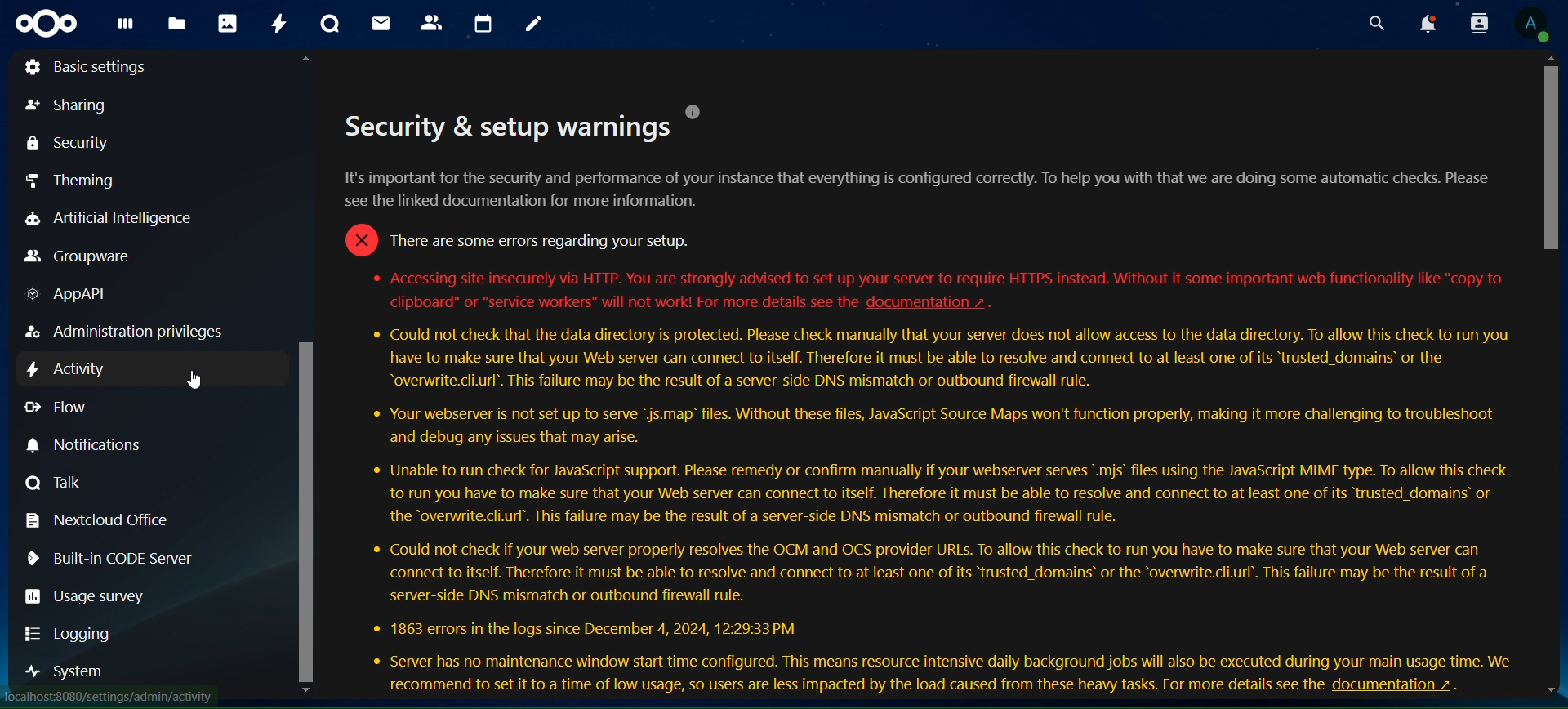  Describe the element at coordinates (381, 24) in the screenshot. I see `mail` at that location.